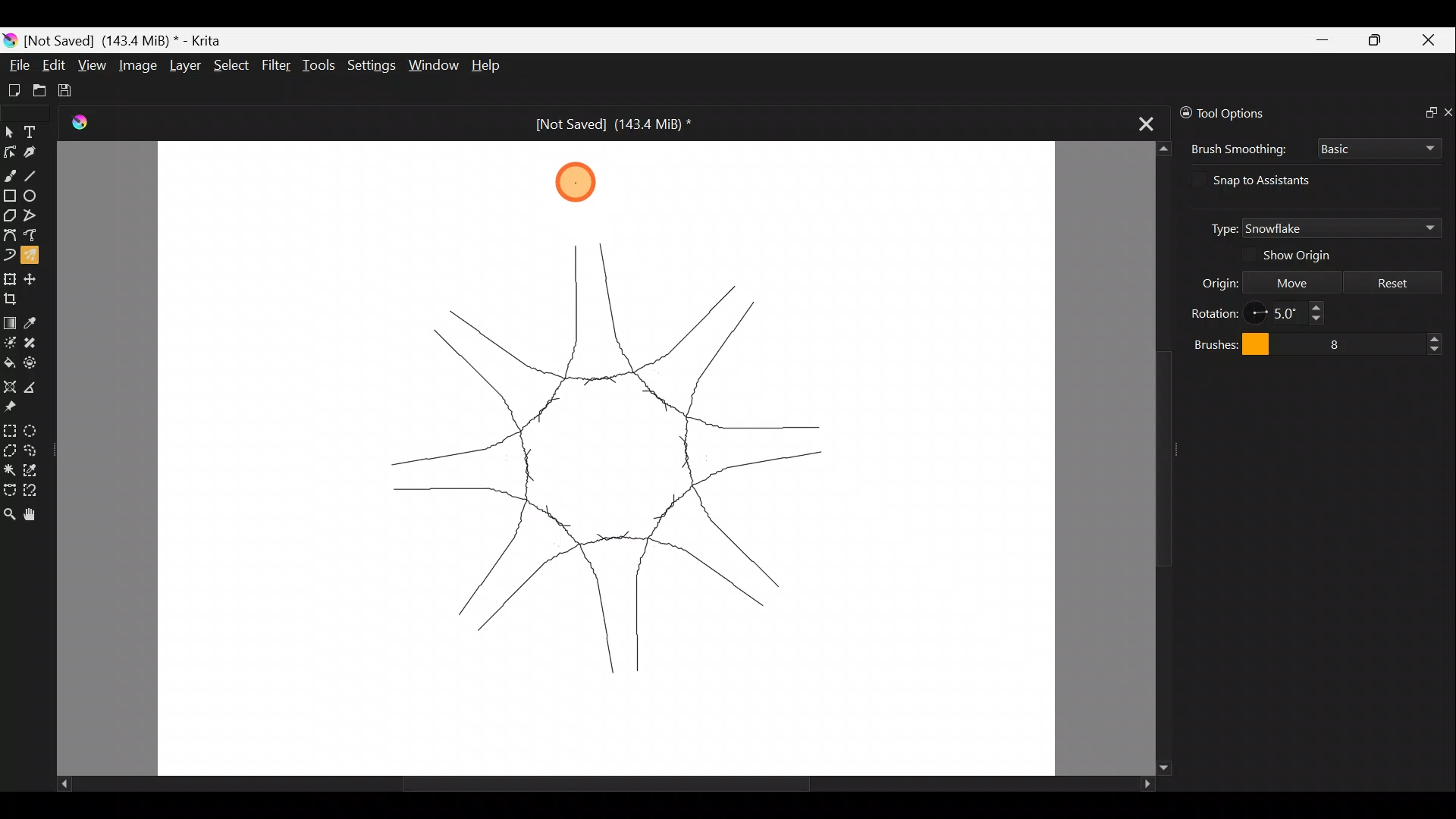  Describe the element at coordinates (9, 174) in the screenshot. I see `Freehand brush tool` at that location.